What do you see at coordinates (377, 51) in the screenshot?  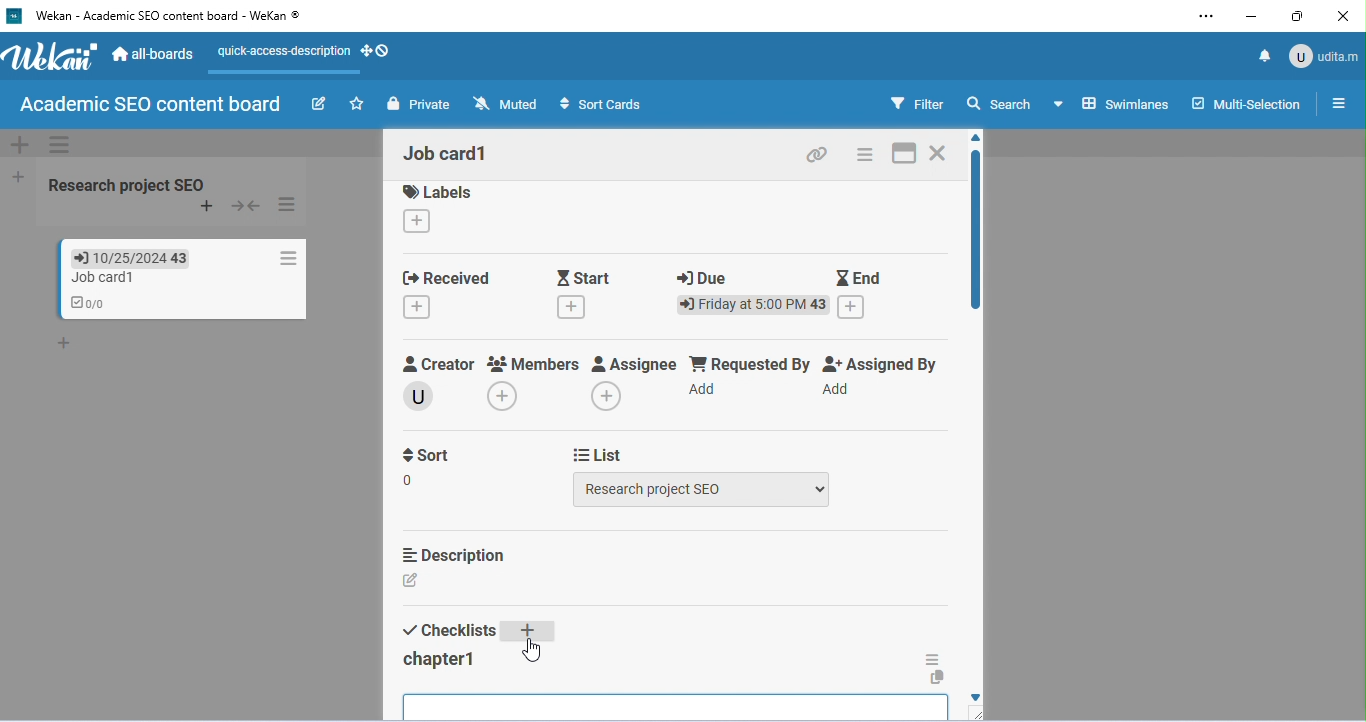 I see `how desktop drag handles` at bounding box center [377, 51].